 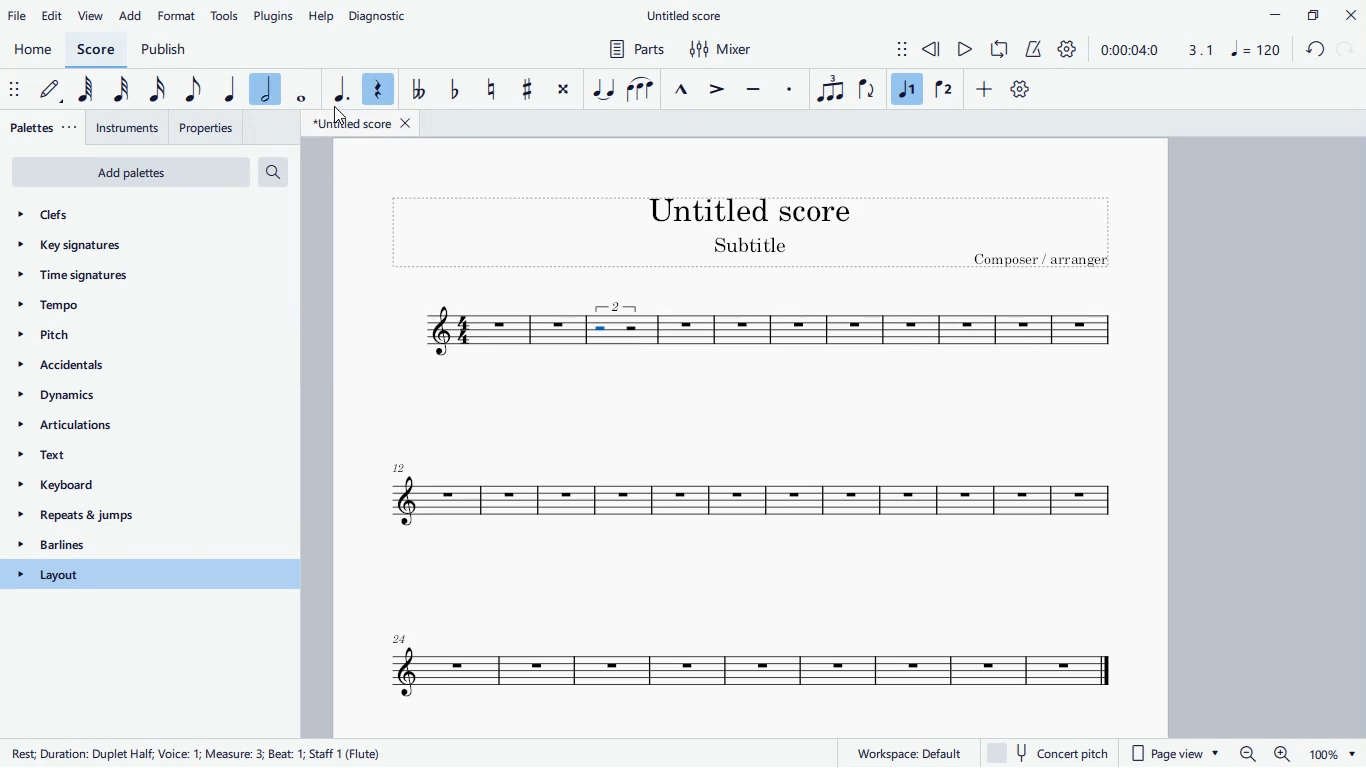 What do you see at coordinates (127, 89) in the screenshot?
I see `32nd note` at bounding box center [127, 89].